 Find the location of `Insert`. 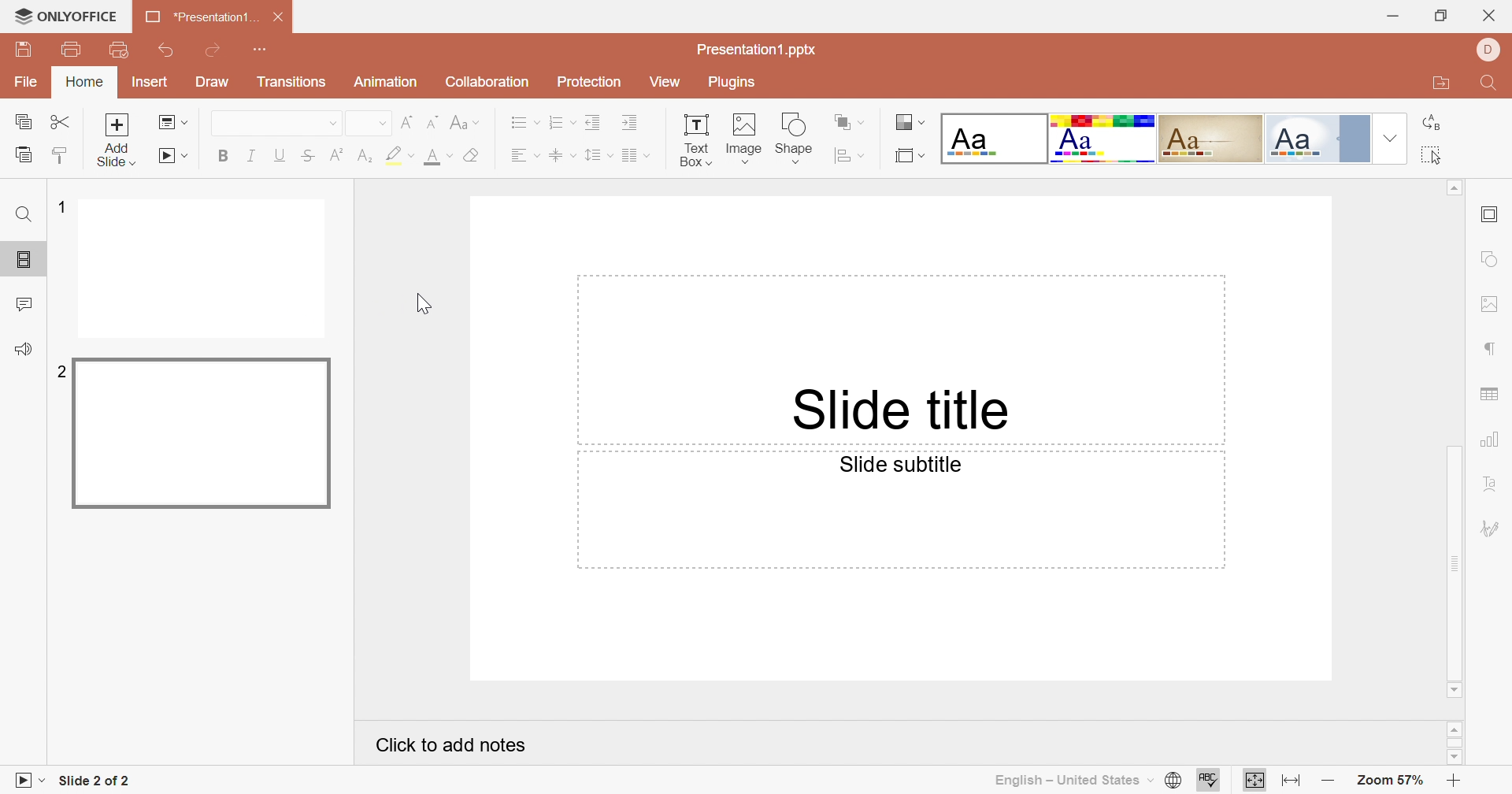

Insert is located at coordinates (156, 82).